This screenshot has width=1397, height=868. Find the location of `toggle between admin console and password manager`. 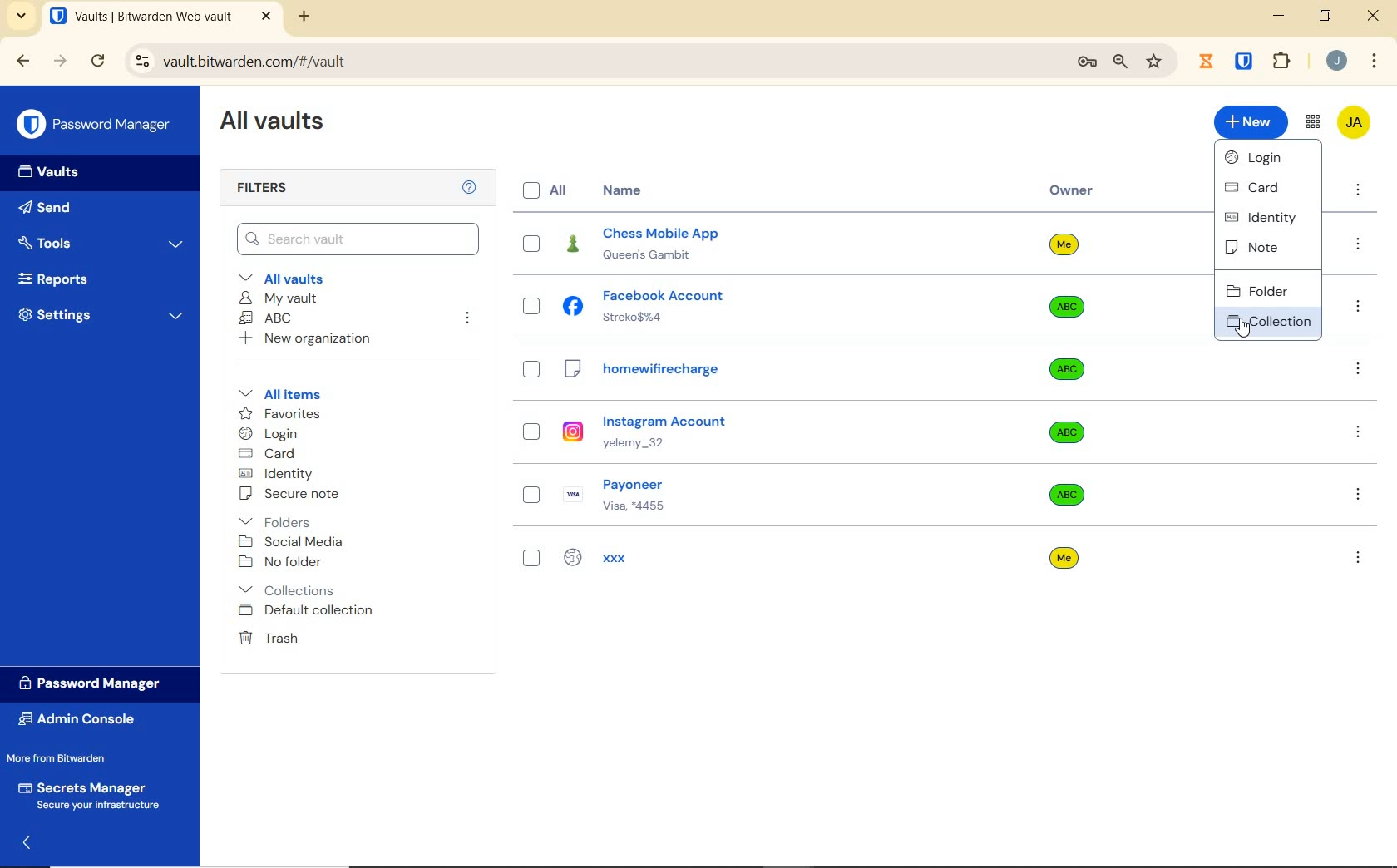

toggle between admin console and password manager is located at coordinates (1312, 121).